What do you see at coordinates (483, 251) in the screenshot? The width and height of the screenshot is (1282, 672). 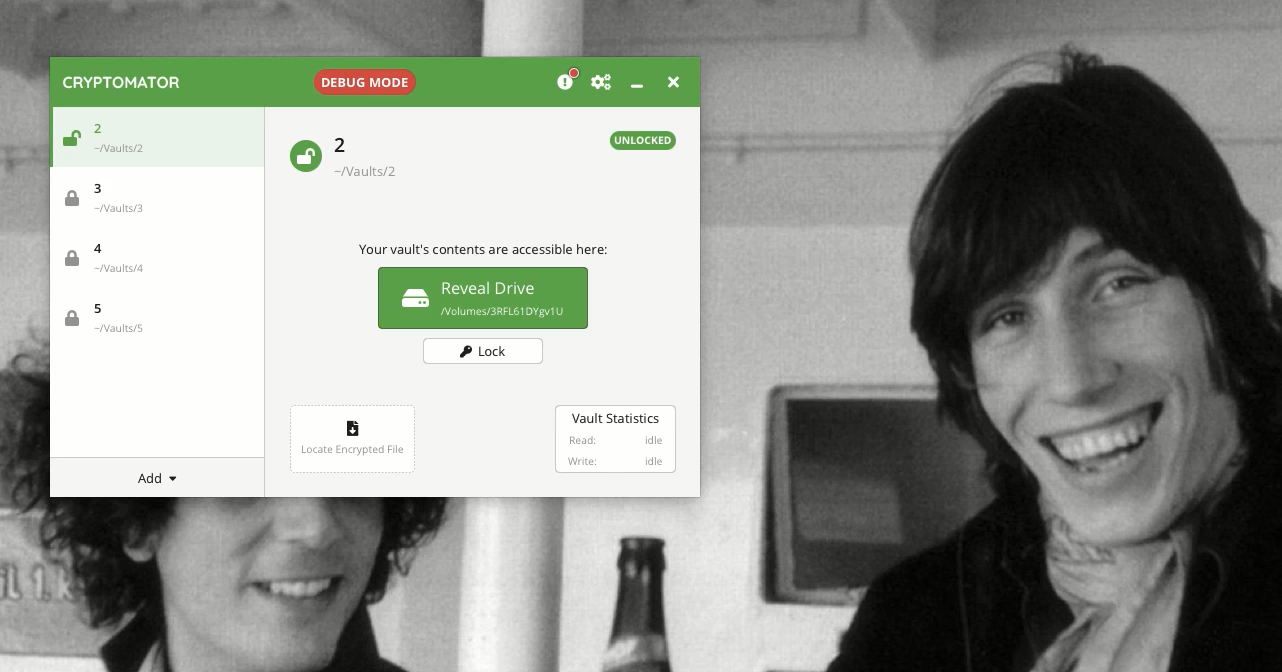 I see `Your vault's contents are accessible here` at bounding box center [483, 251].